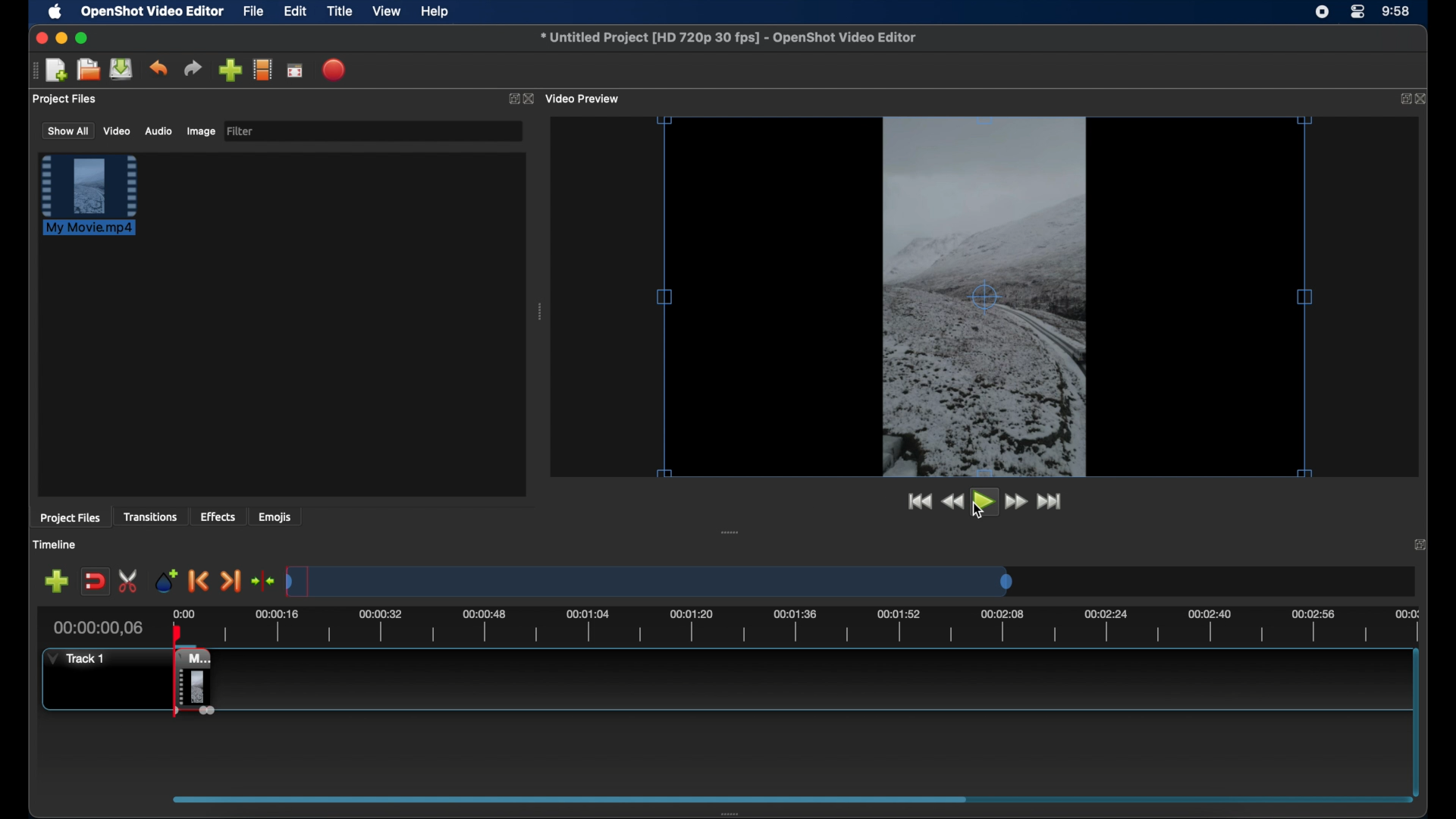 The height and width of the screenshot is (819, 1456). Describe the element at coordinates (150, 516) in the screenshot. I see `transitions` at that location.